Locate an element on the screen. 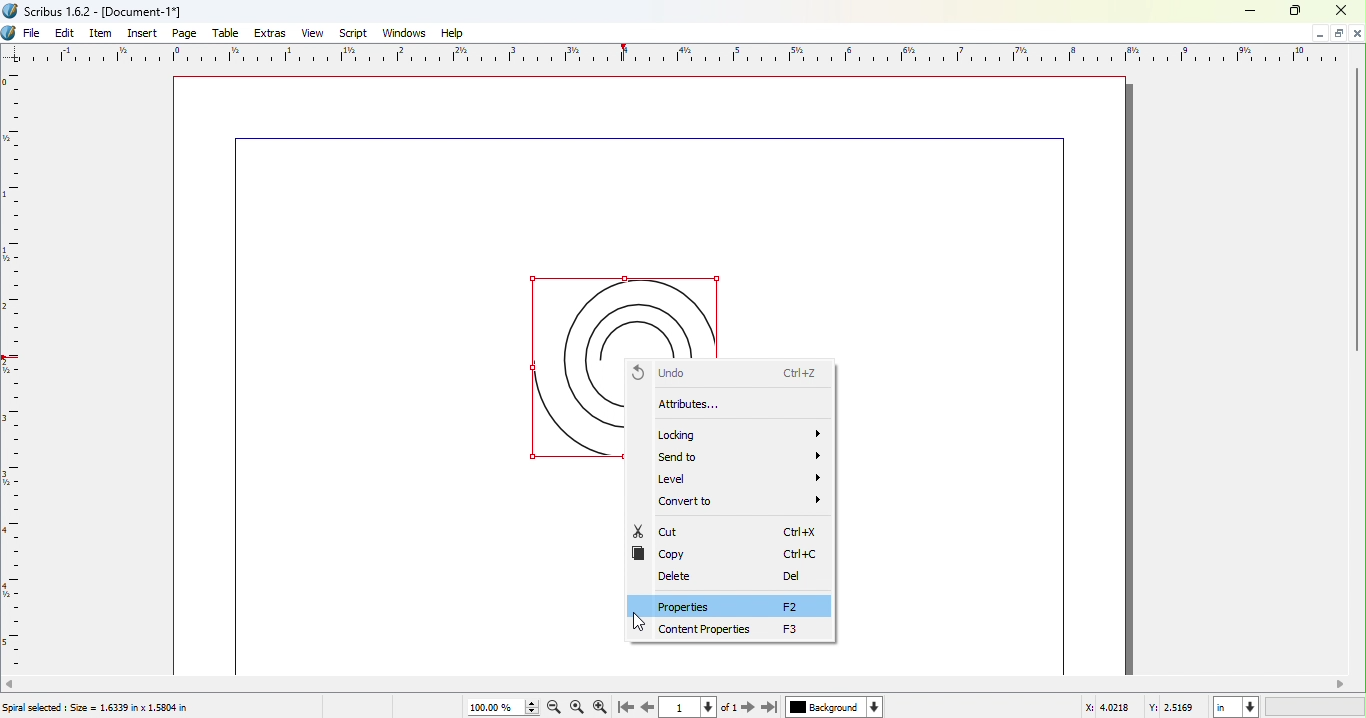 The width and height of the screenshot is (1366, 718). Select the current unit is located at coordinates (1226, 707).